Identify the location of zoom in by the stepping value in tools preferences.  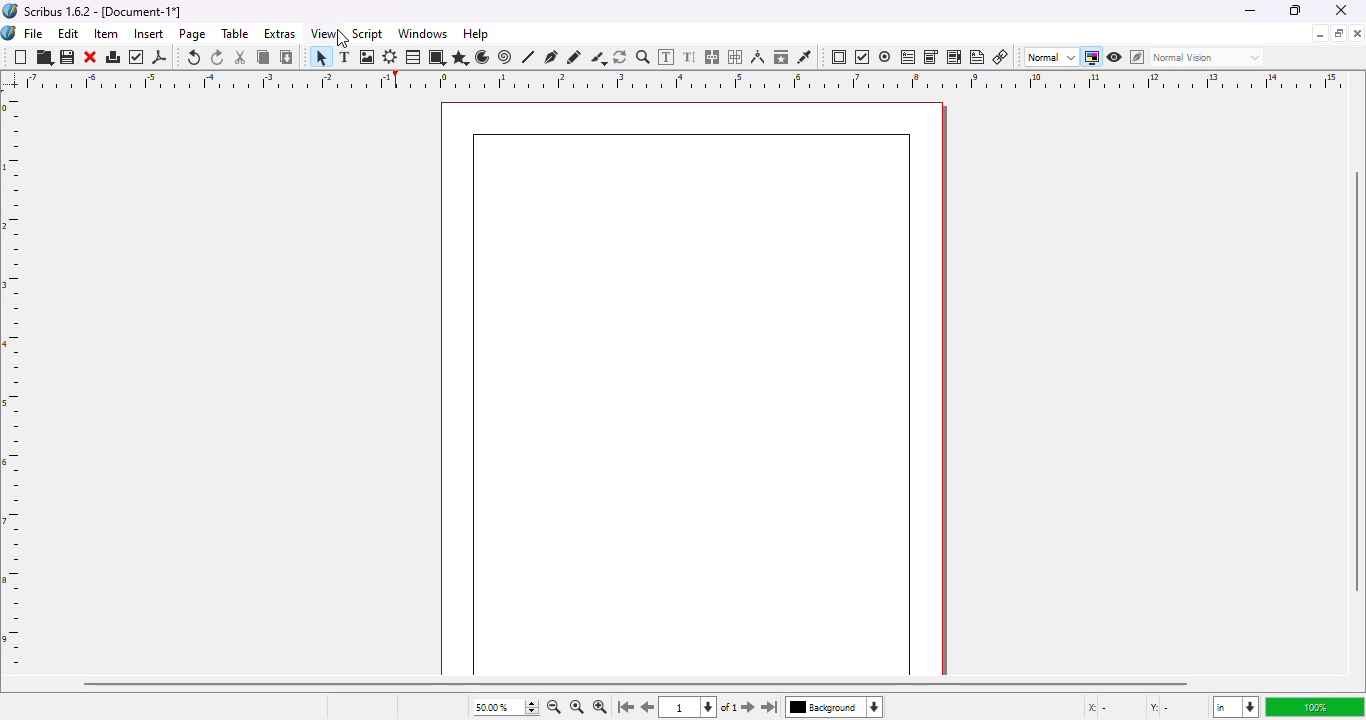
(599, 708).